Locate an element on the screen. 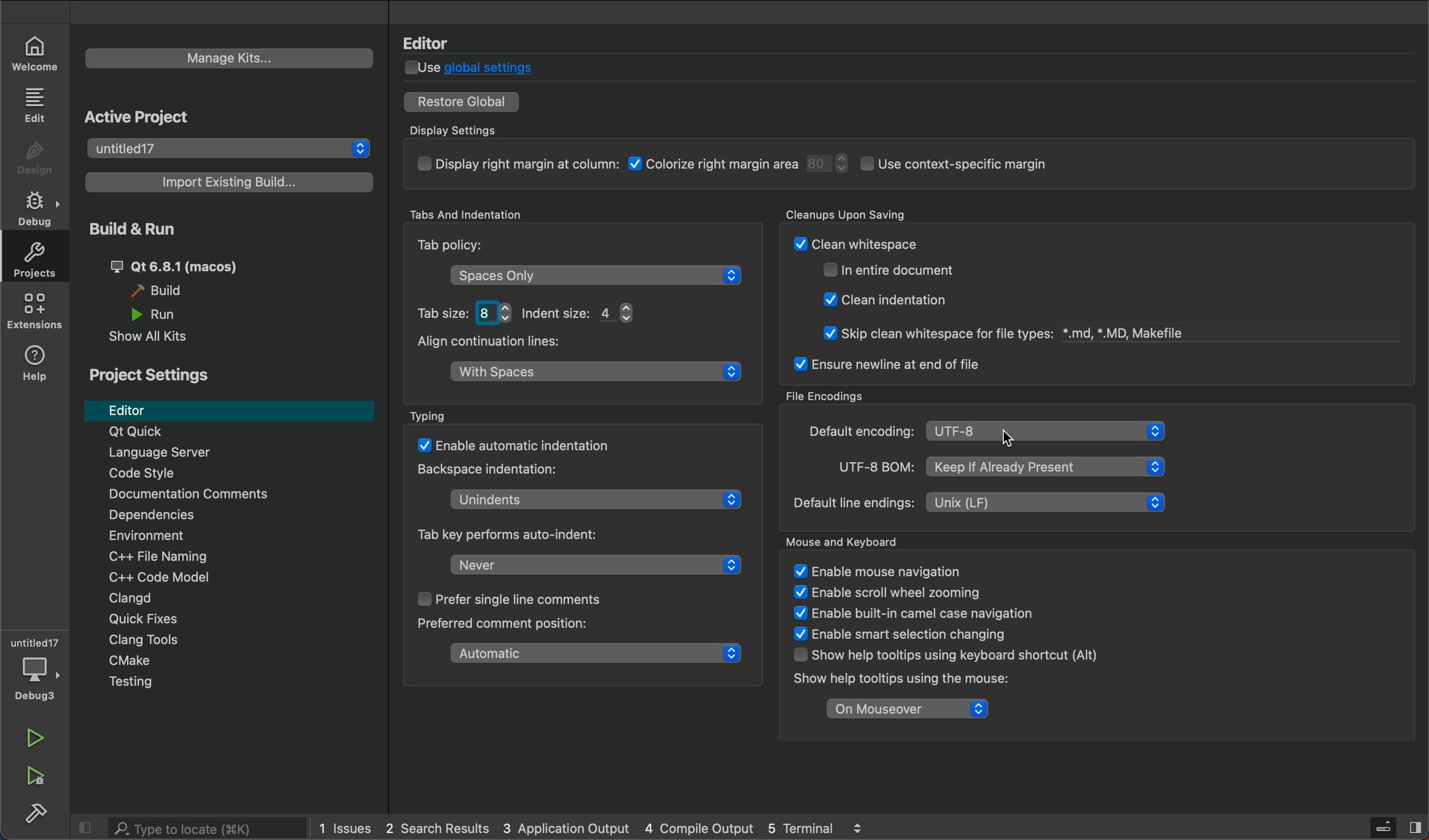  cleanup savings is located at coordinates (1007, 239).